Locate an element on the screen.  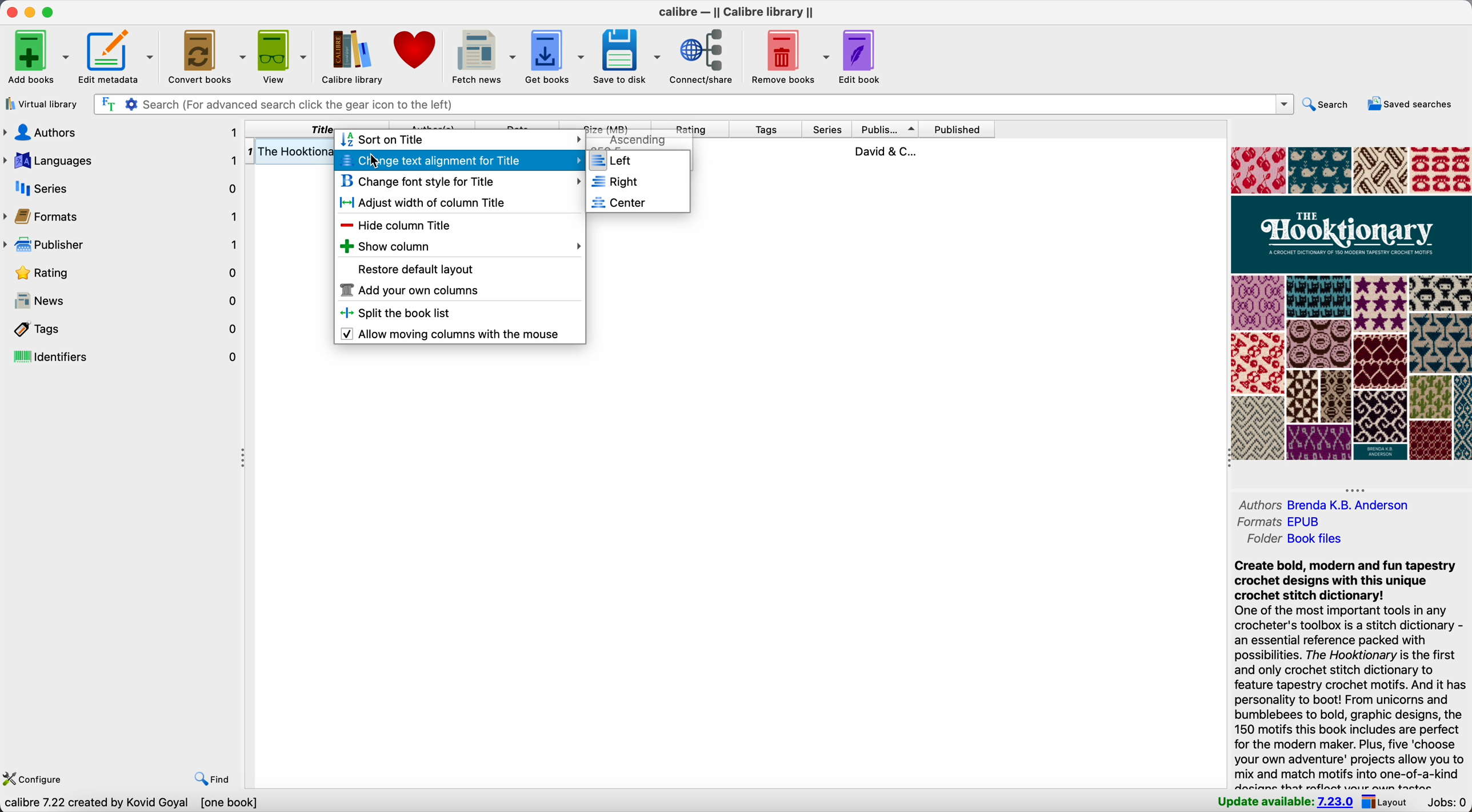
ascending is located at coordinates (638, 141).